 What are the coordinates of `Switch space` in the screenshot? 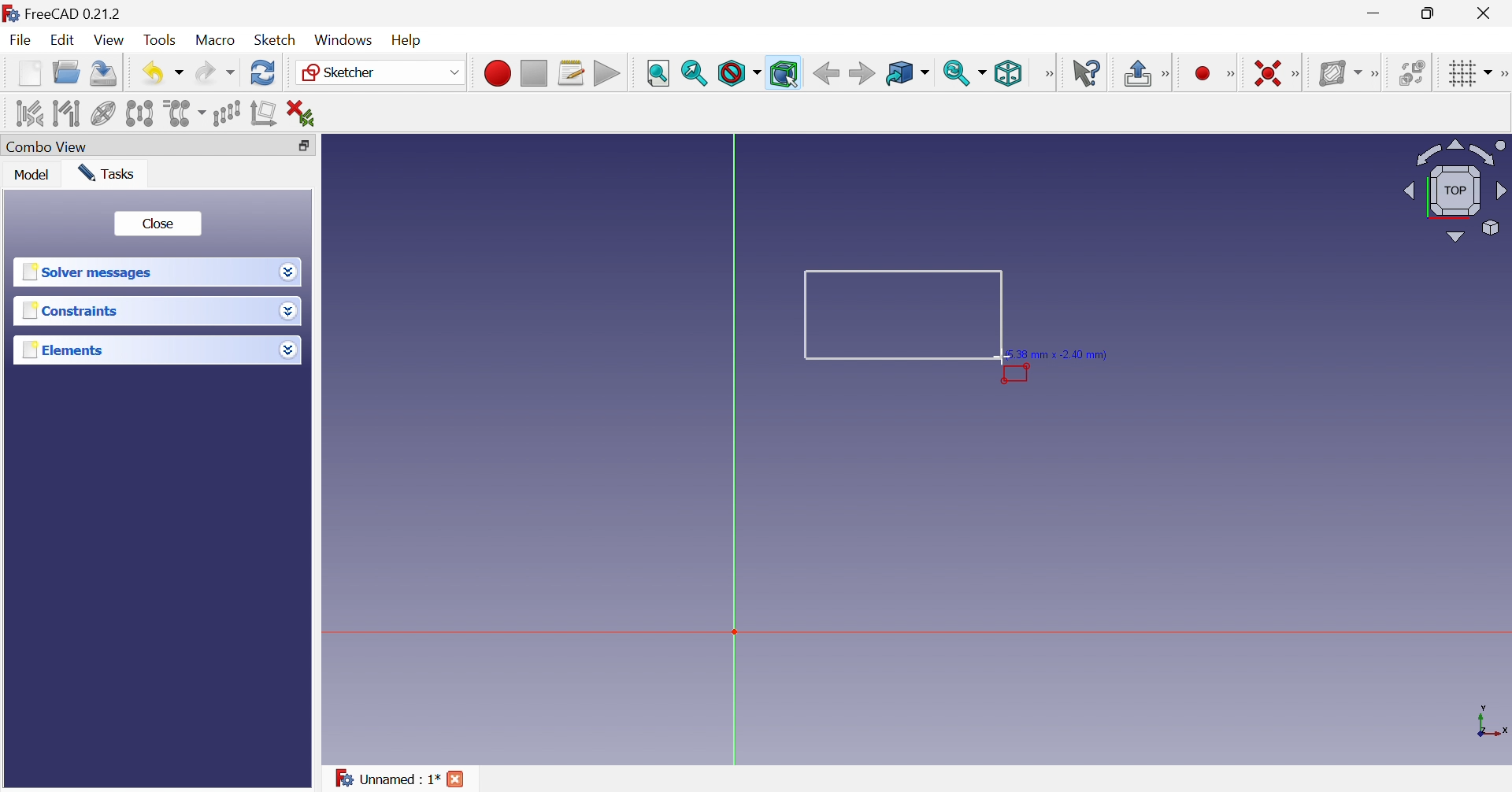 It's located at (1414, 72).